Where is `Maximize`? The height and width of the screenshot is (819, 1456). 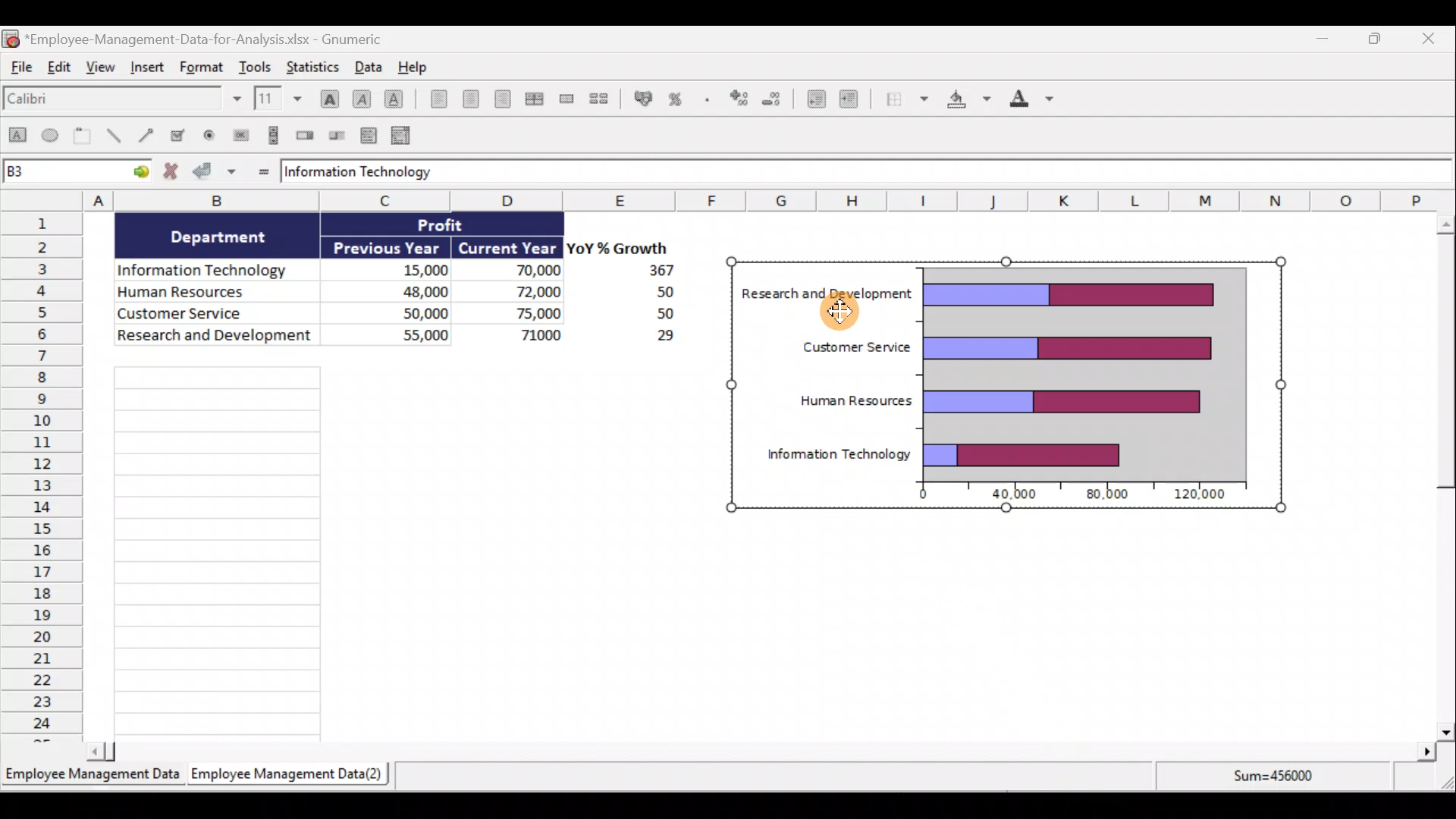 Maximize is located at coordinates (1379, 39).